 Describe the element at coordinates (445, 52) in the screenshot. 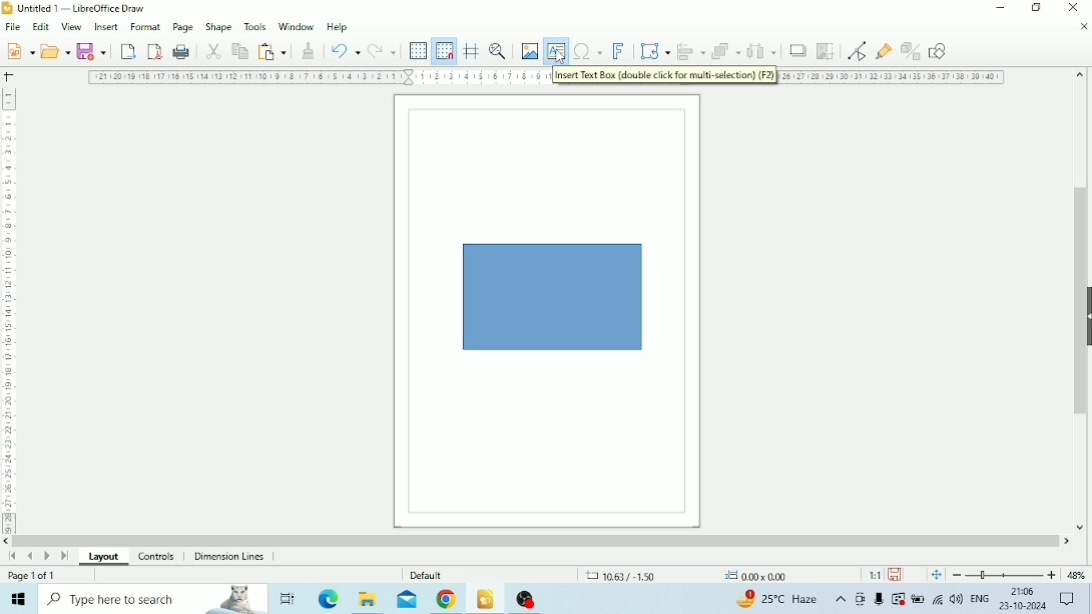

I see `Snap to Grid` at that location.